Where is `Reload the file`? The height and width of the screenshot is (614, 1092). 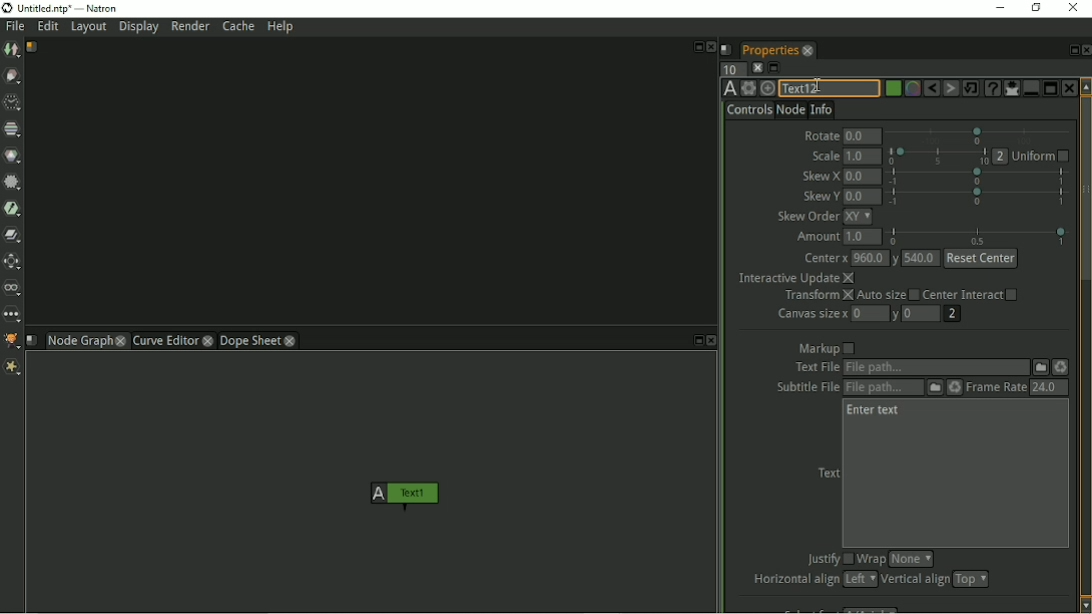
Reload the file is located at coordinates (1062, 367).